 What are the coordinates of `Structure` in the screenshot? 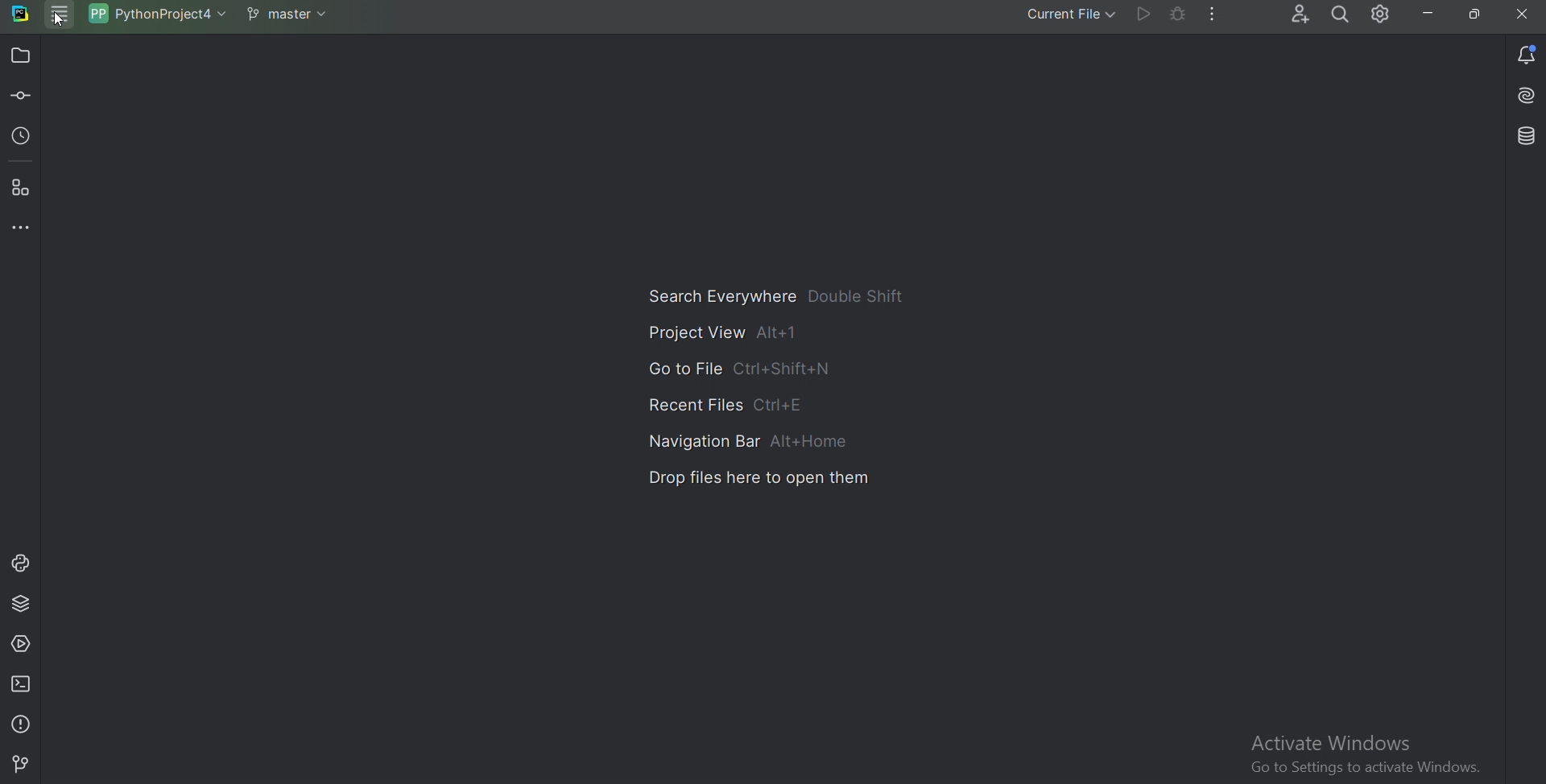 It's located at (22, 189).